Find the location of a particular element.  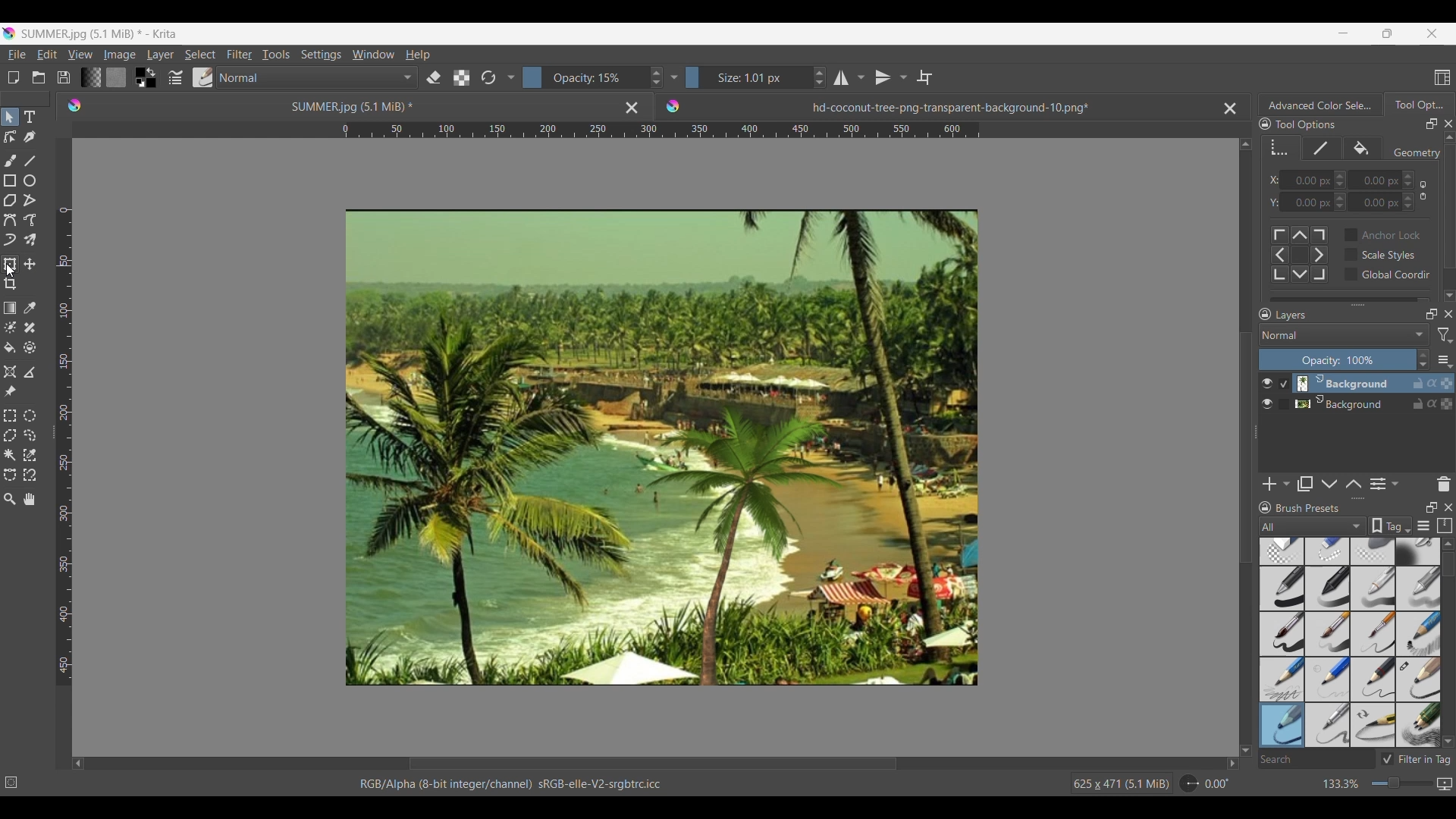

Lock layer is located at coordinates (1418, 383).